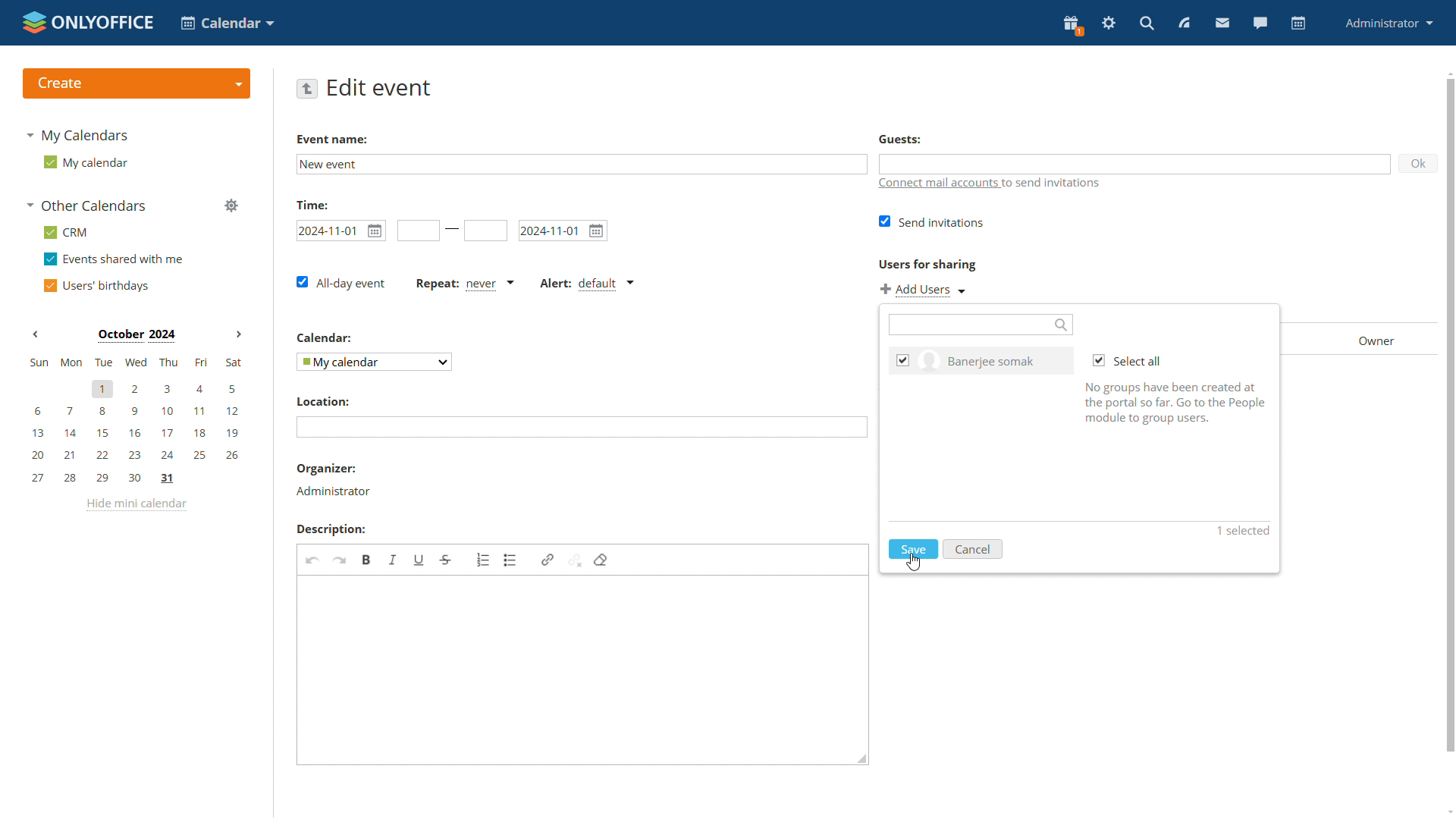 The width and height of the screenshot is (1456, 819). What do you see at coordinates (418, 231) in the screenshot?
I see `start time` at bounding box center [418, 231].